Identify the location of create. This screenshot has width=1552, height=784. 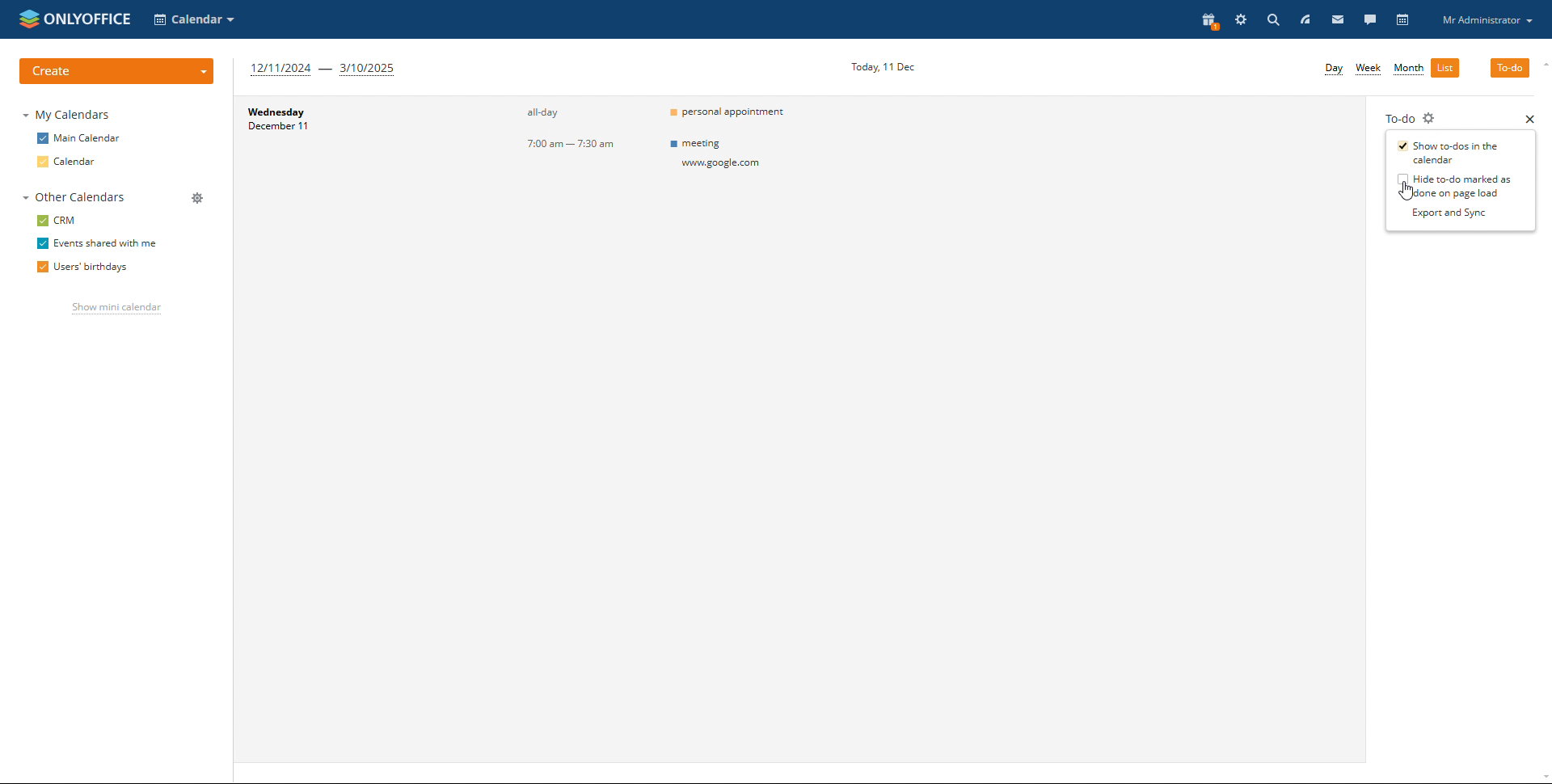
(119, 70).